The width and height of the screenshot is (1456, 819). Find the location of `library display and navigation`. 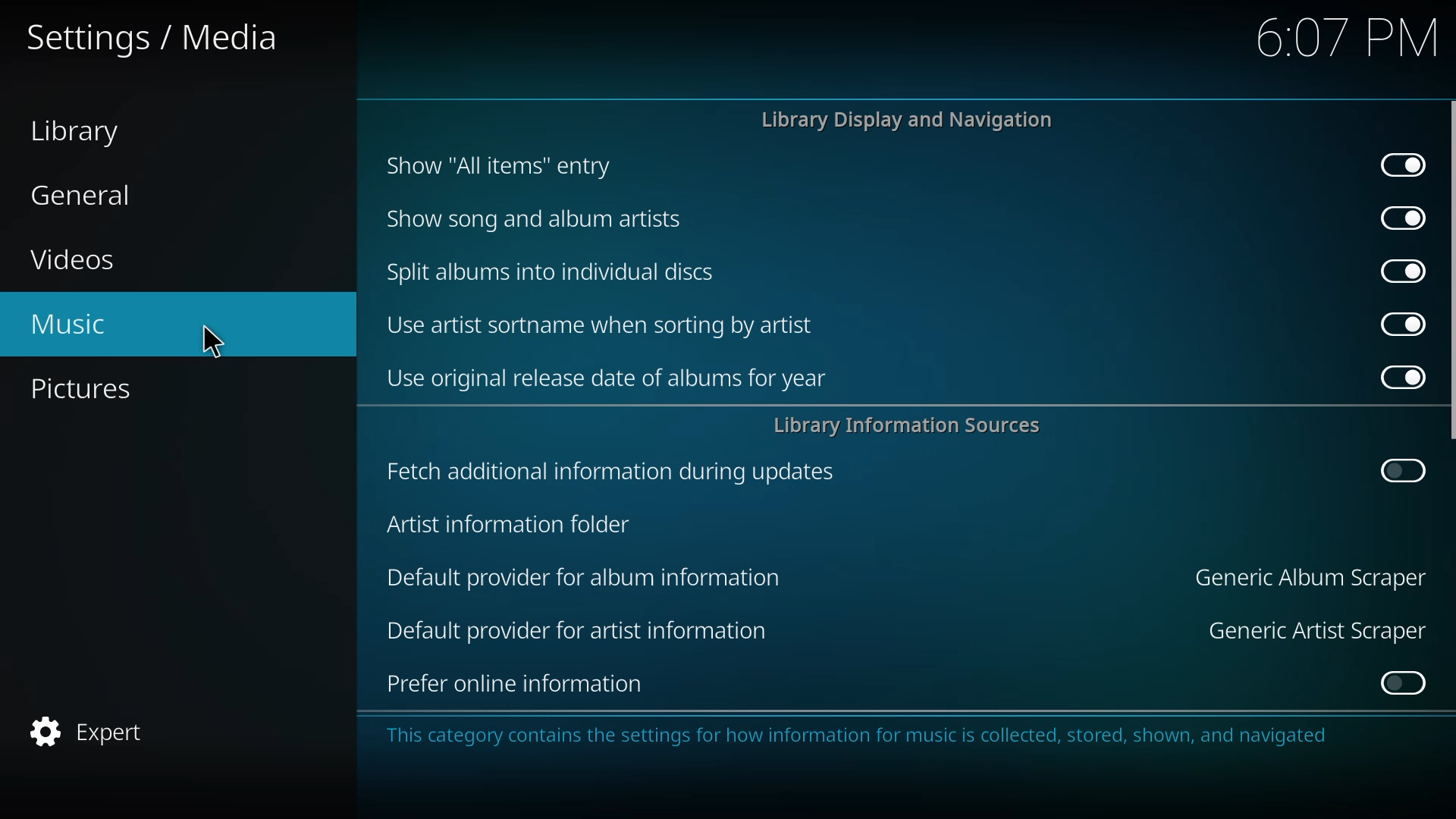

library display and navigation is located at coordinates (907, 120).